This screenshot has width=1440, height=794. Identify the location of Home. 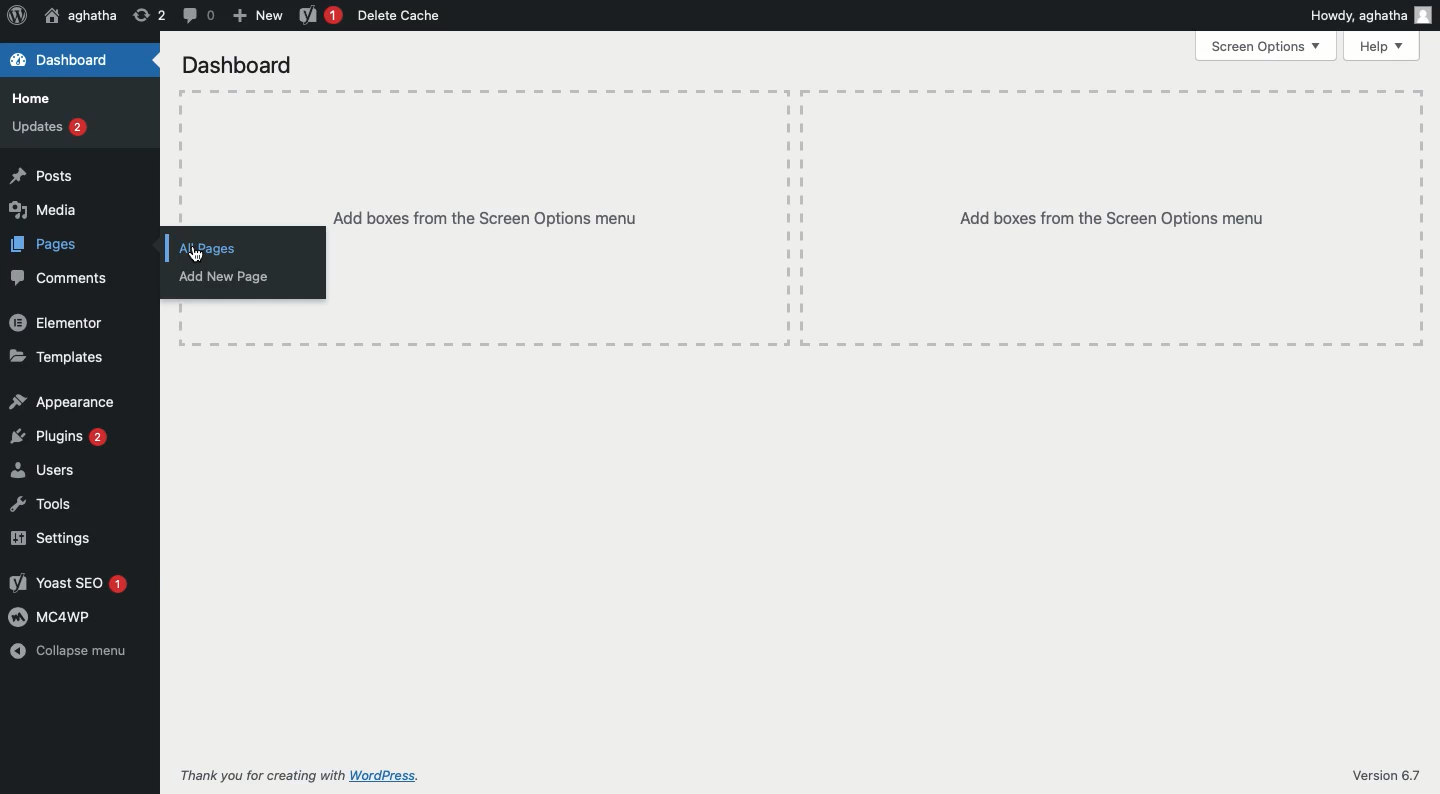
(71, 98).